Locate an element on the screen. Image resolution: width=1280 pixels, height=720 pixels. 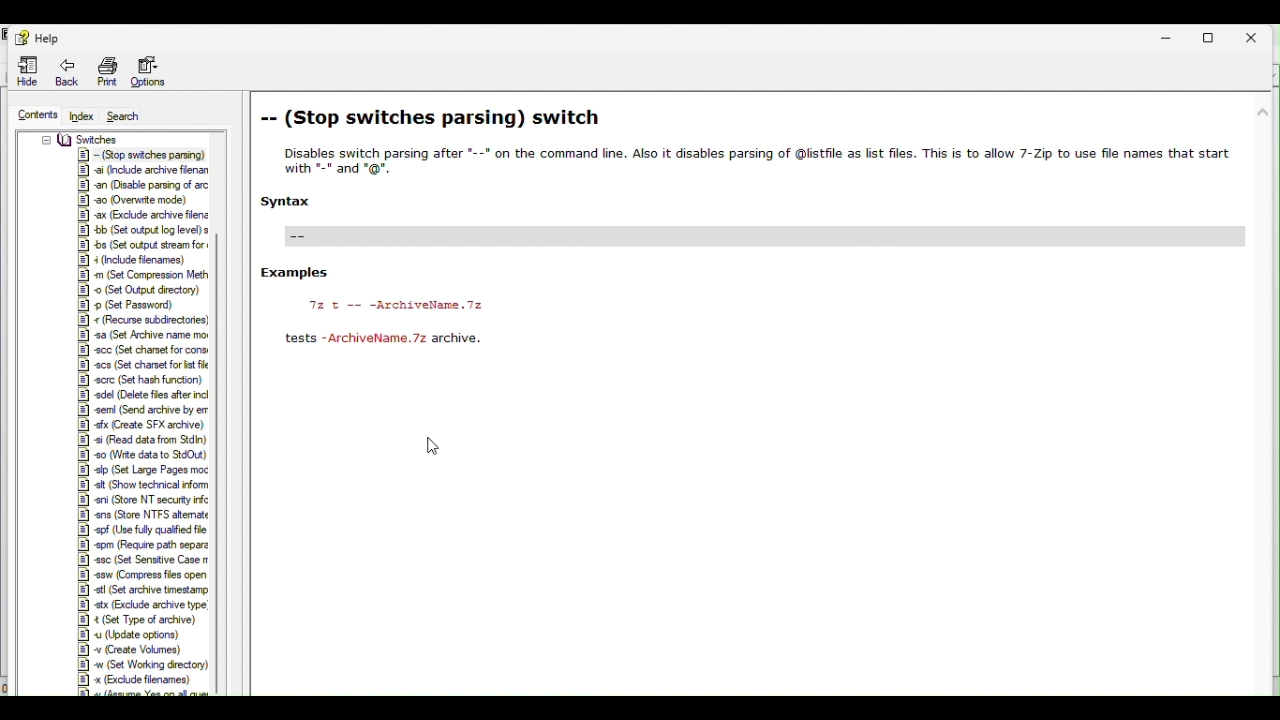
Contents is located at coordinates (36, 116).